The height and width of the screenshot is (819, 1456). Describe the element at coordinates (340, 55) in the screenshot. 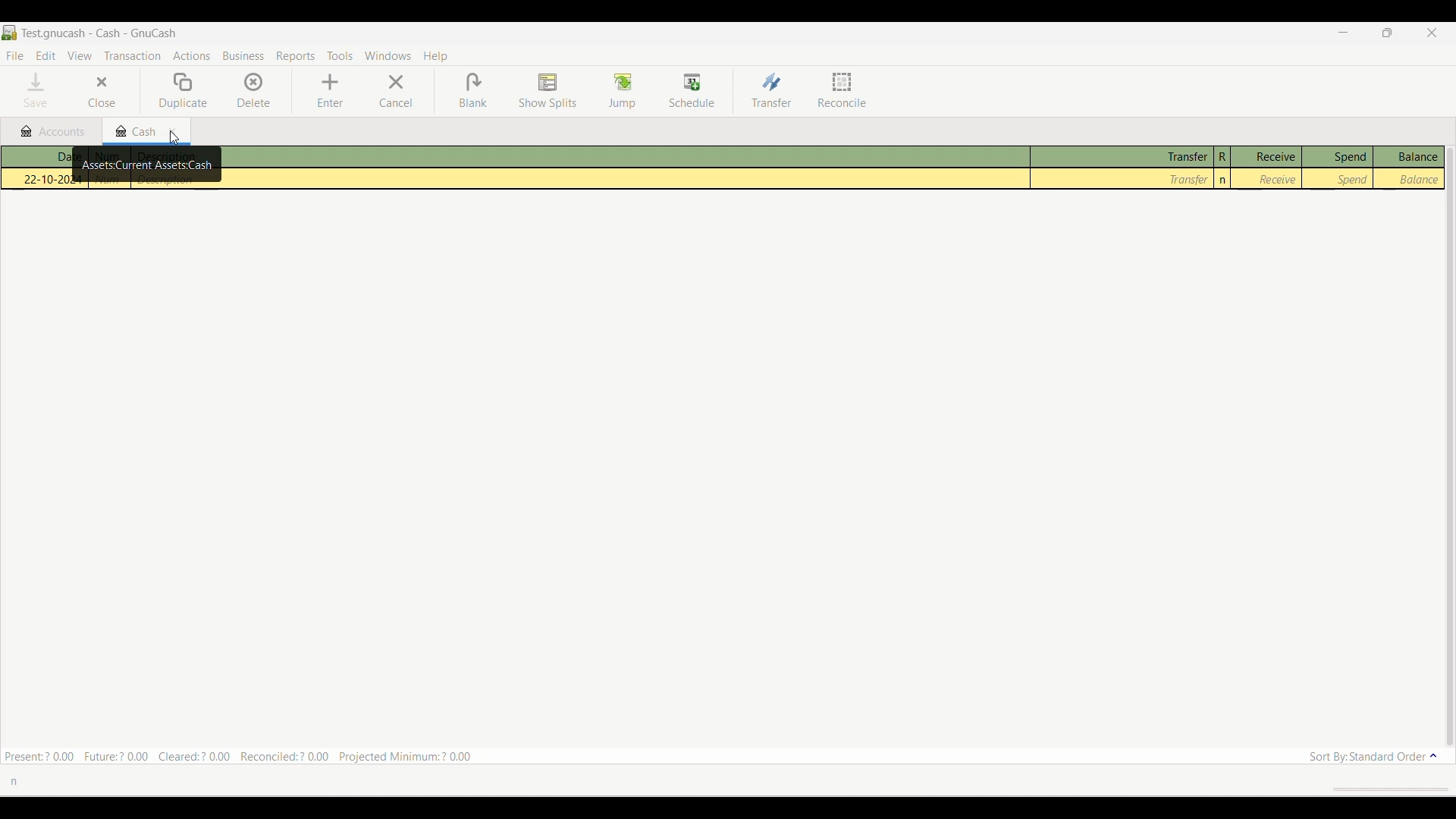

I see `Tools` at that location.